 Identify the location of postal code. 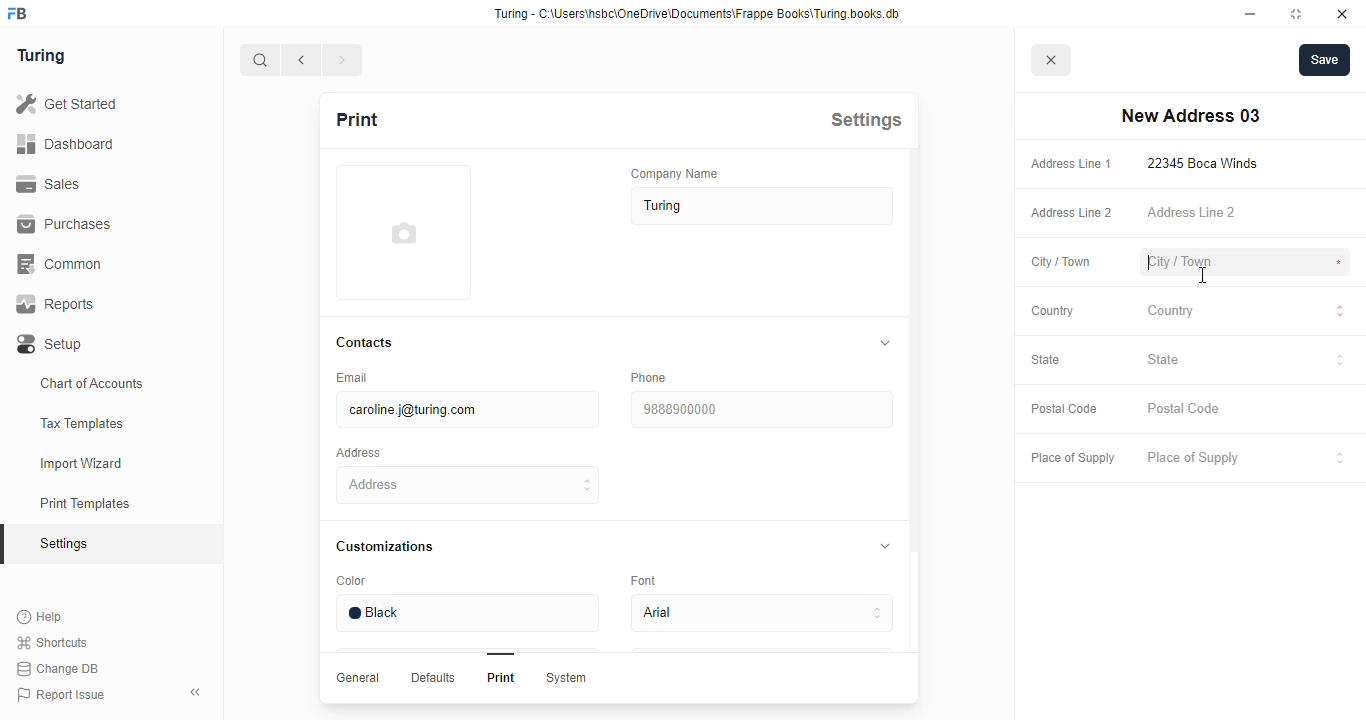
(1185, 409).